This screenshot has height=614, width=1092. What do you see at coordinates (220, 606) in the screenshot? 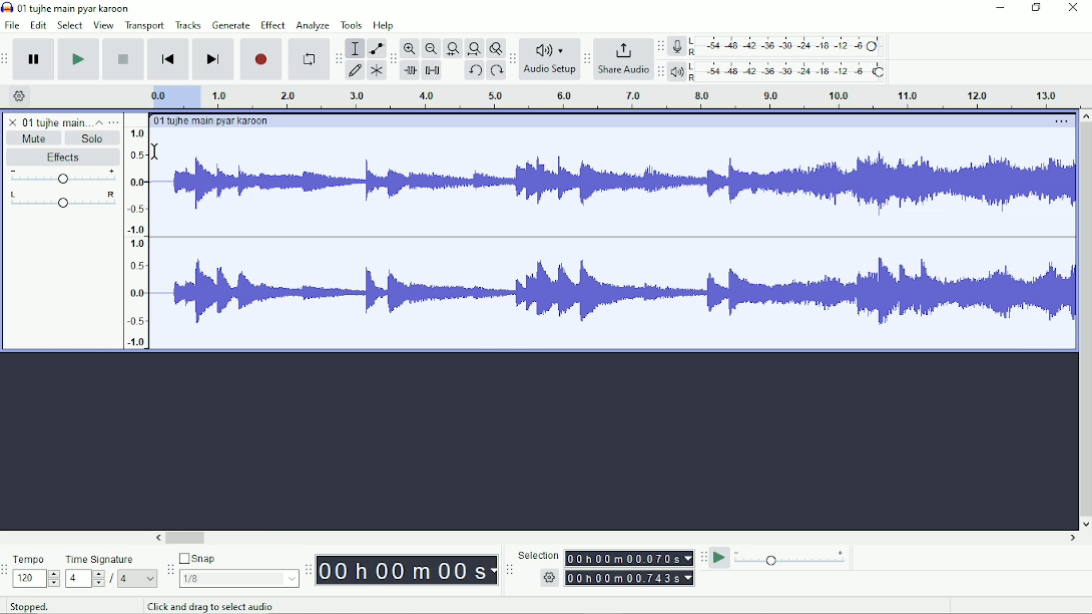
I see `Click and drag to select audio` at bounding box center [220, 606].